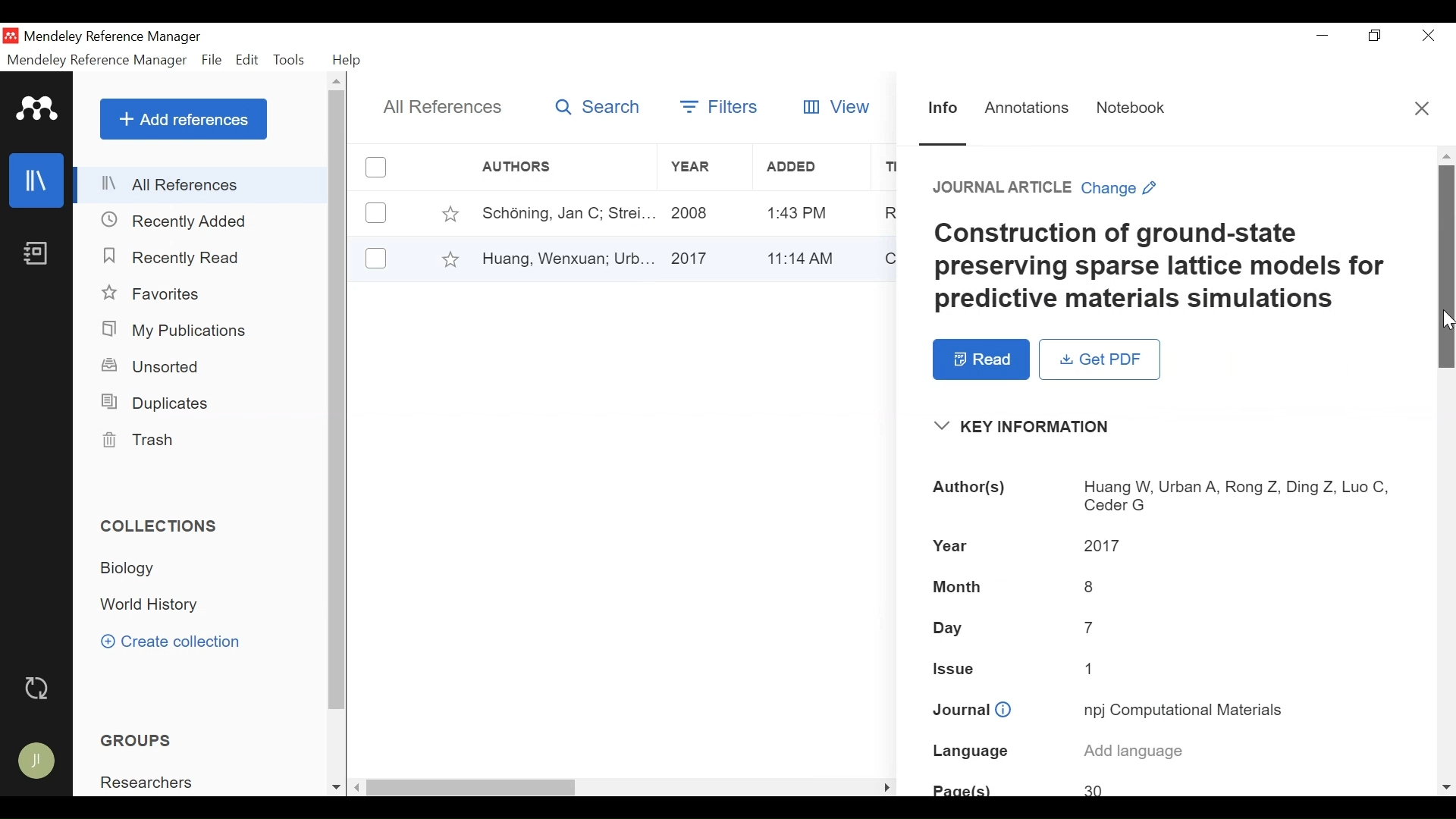  Describe the element at coordinates (1423, 109) in the screenshot. I see `Close` at that location.